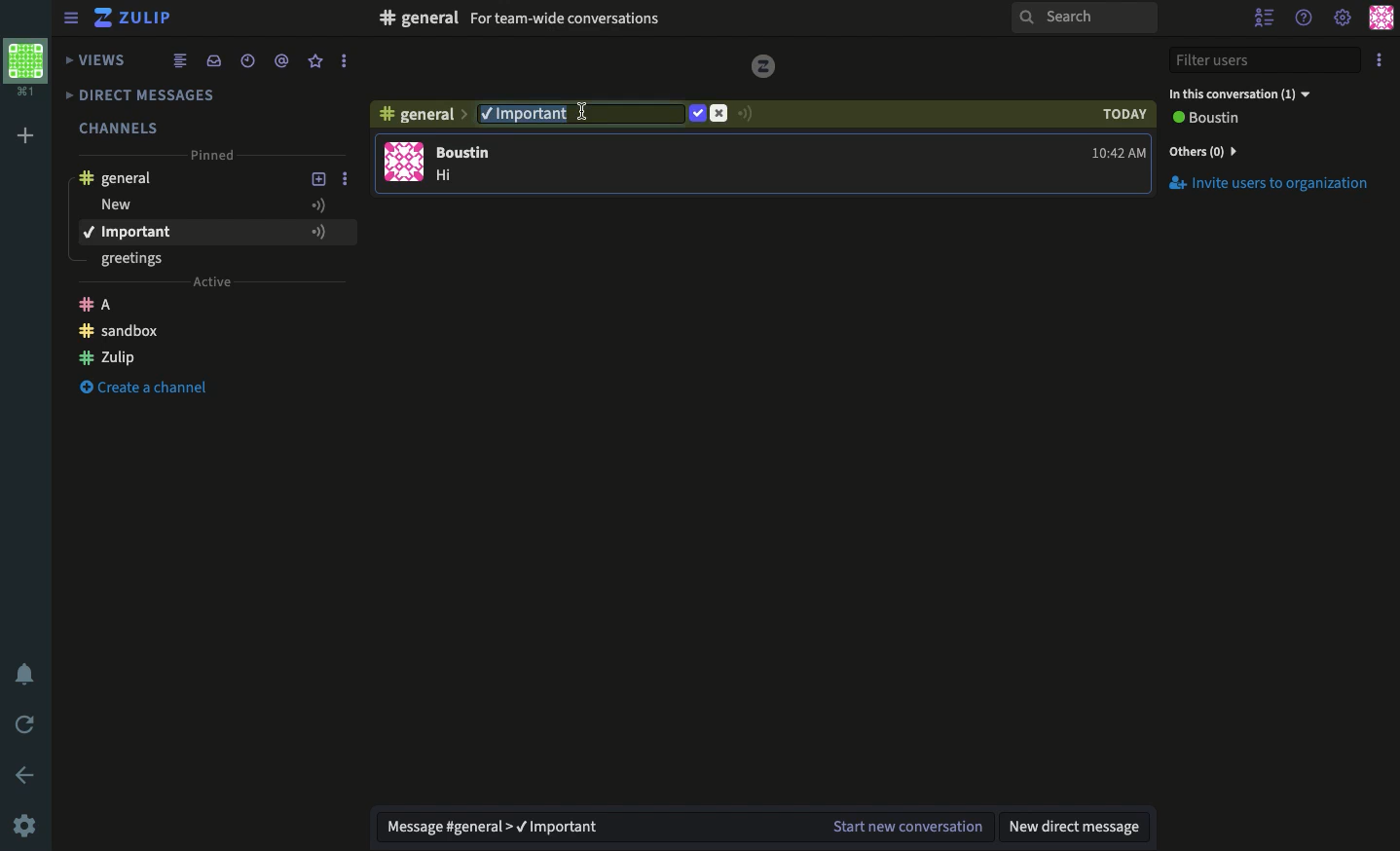 The image size is (1400, 851). Describe the element at coordinates (28, 133) in the screenshot. I see `Add` at that location.